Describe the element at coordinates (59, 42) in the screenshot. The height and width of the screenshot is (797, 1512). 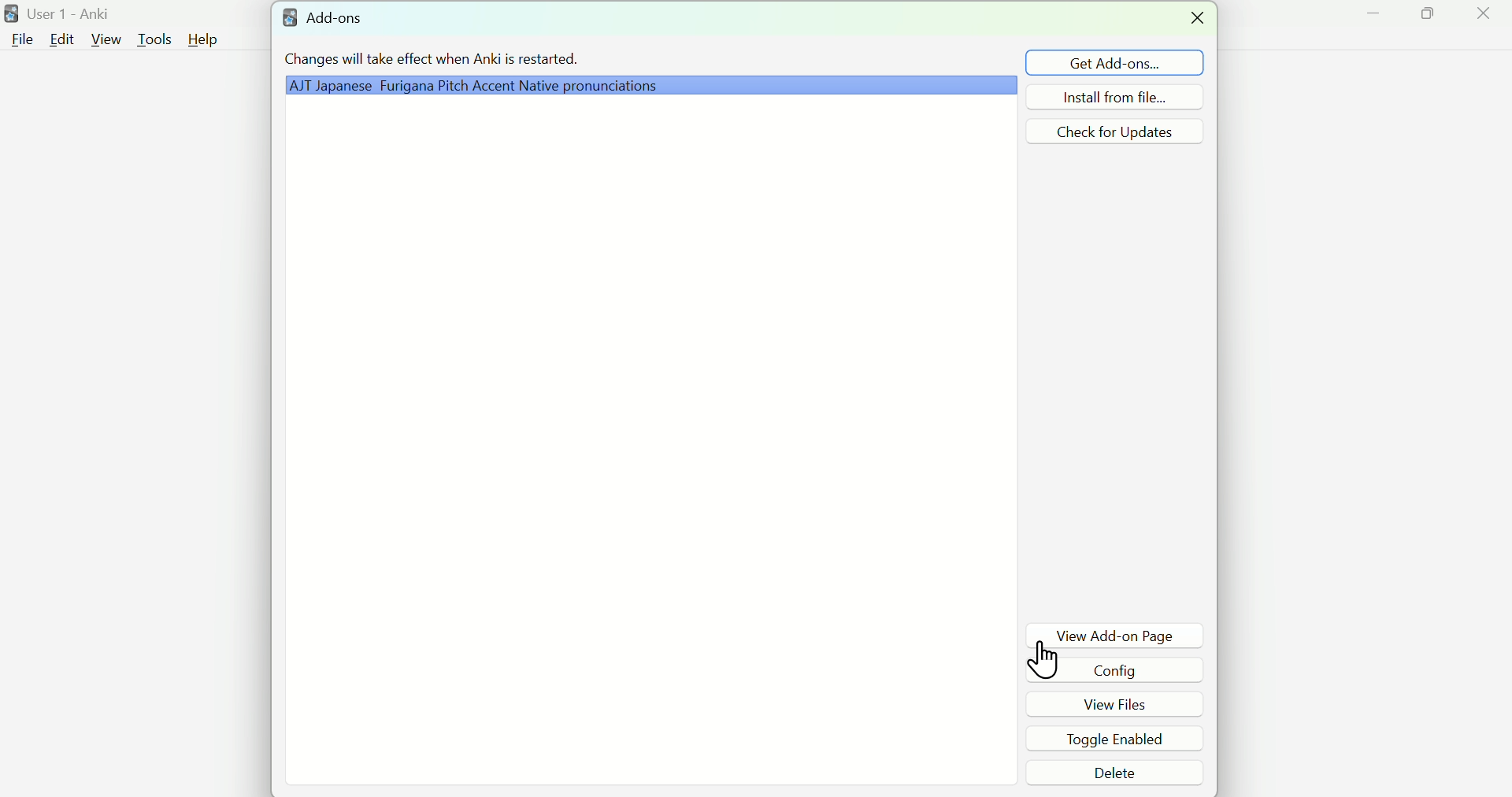
I see `Edit` at that location.